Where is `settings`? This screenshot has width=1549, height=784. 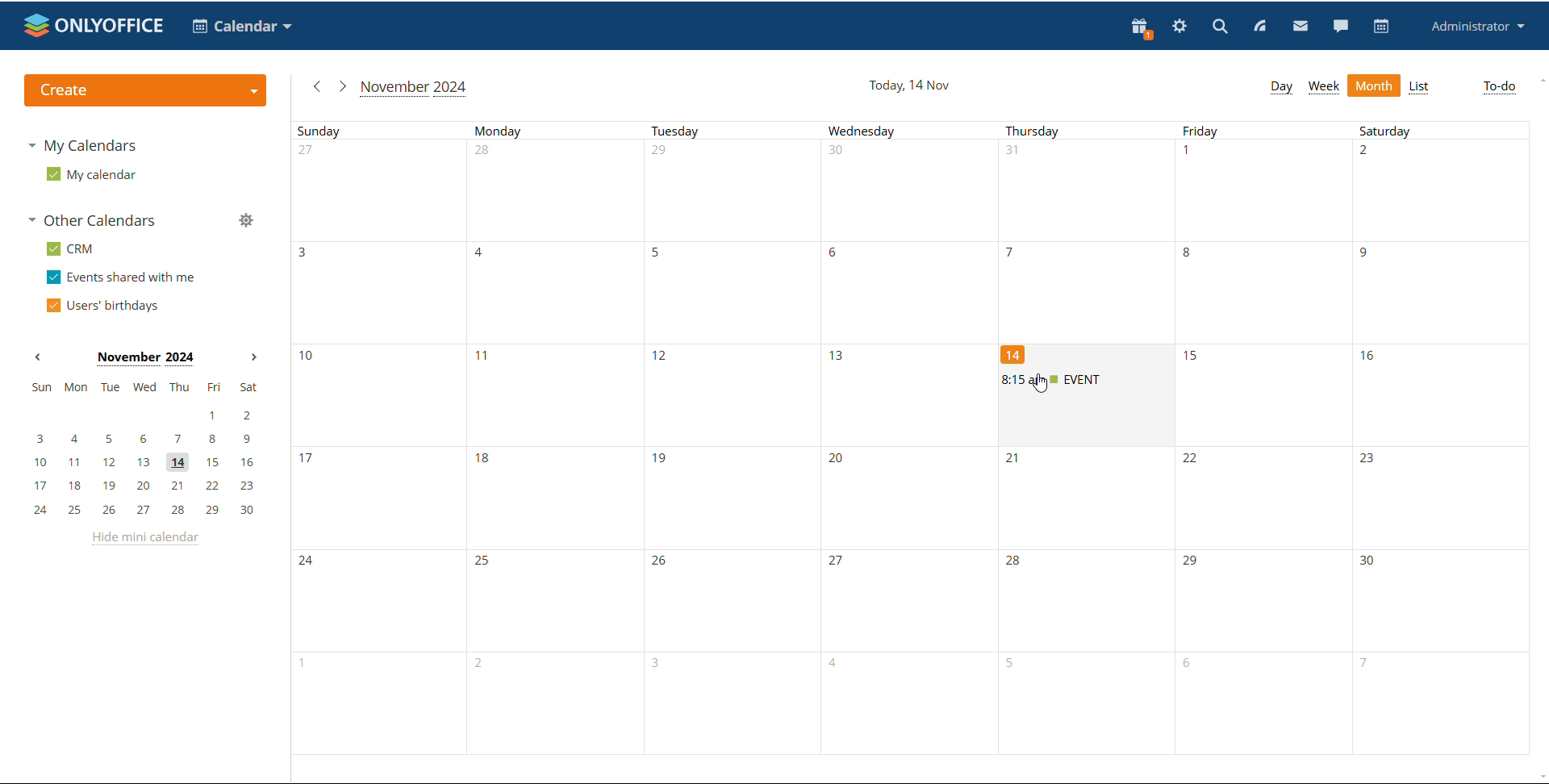
settings is located at coordinates (1180, 27).